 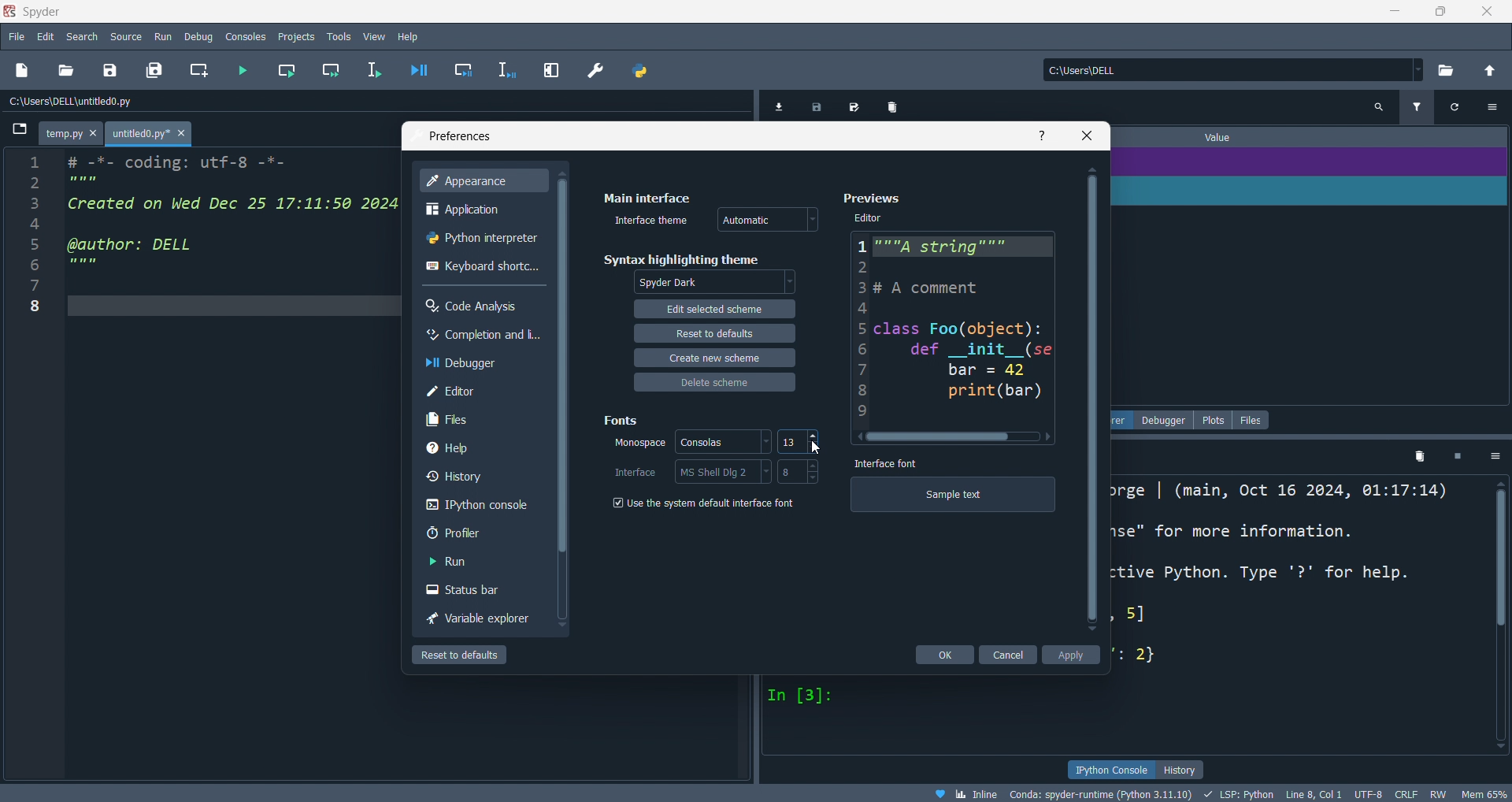 I want to click on options, so click(x=1495, y=111).